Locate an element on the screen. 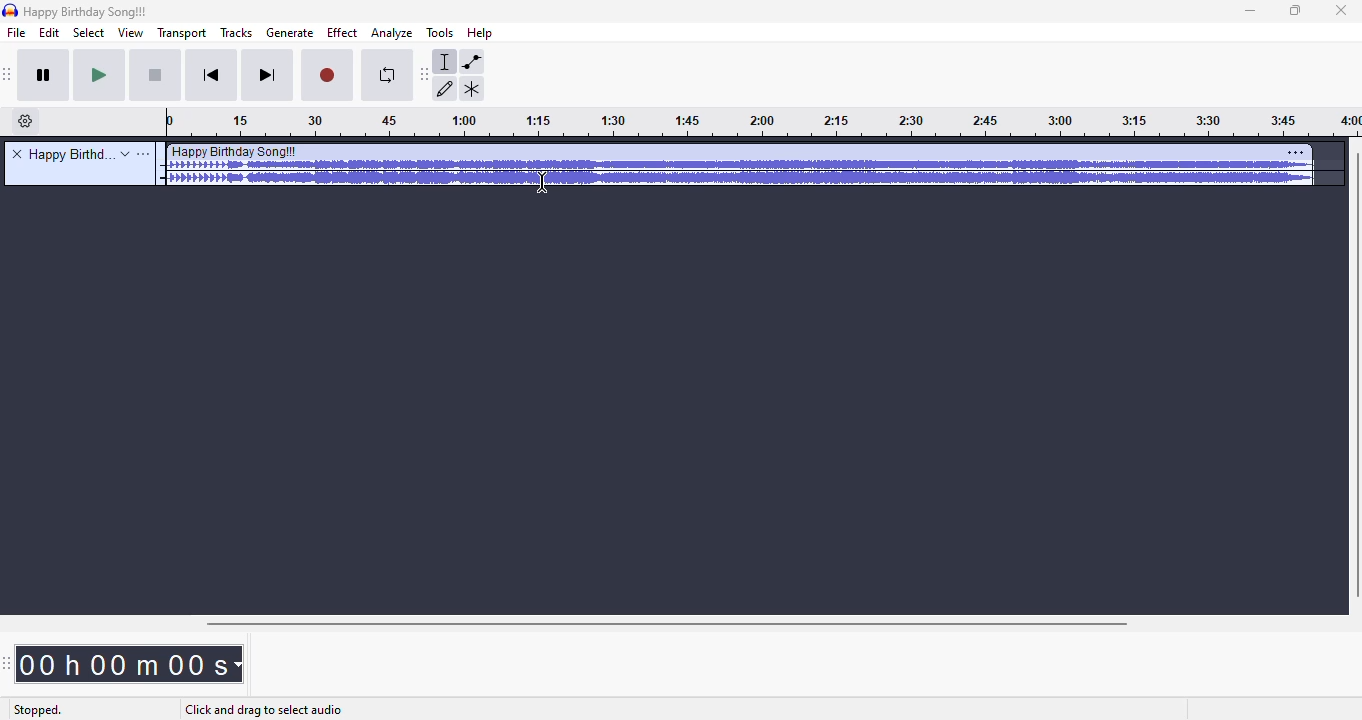 Image resolution: width=1362 pixels, height=720 pixels. select is located at coordinates (89, 33).